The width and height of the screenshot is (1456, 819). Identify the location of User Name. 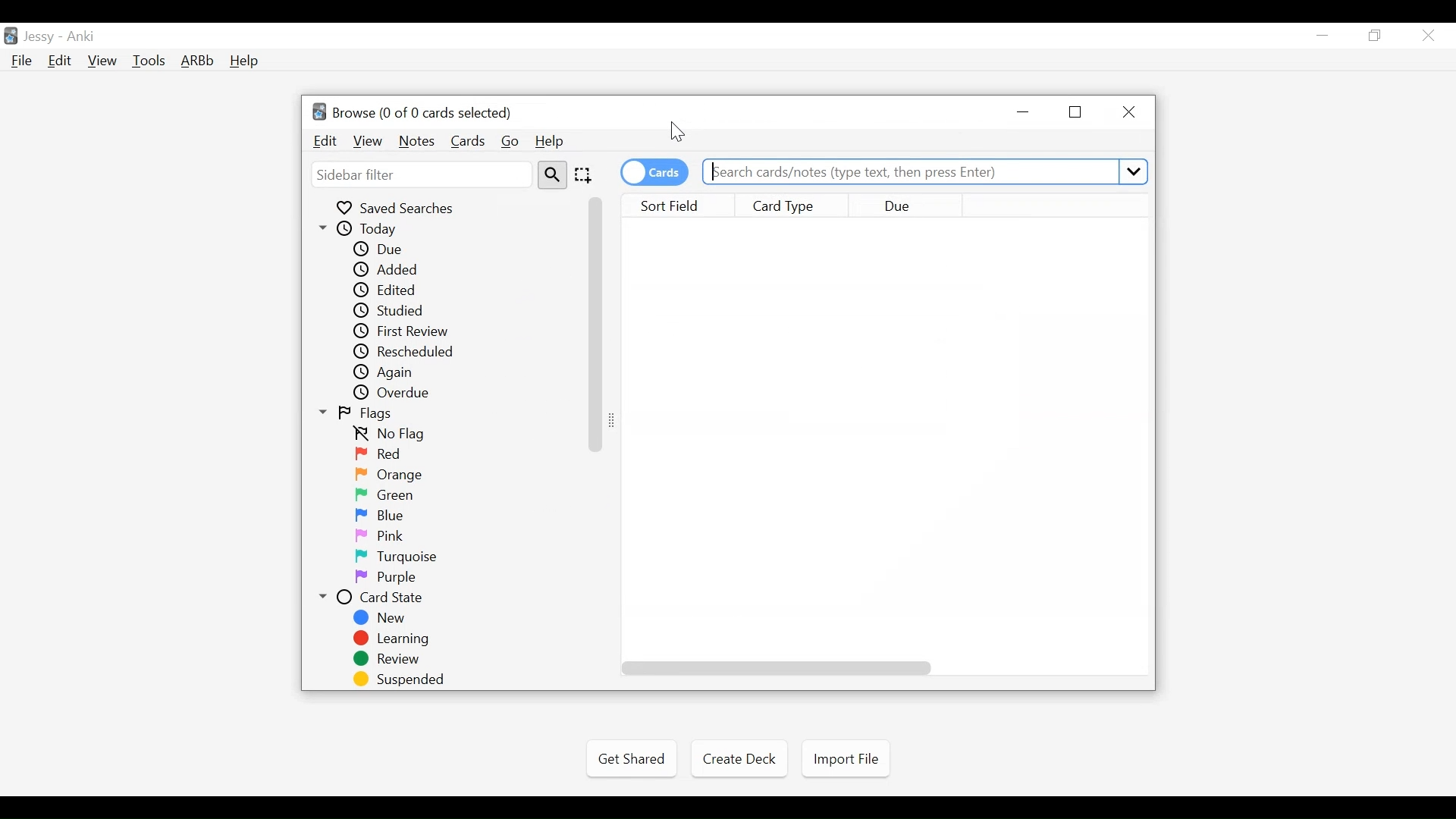
(39, 37).